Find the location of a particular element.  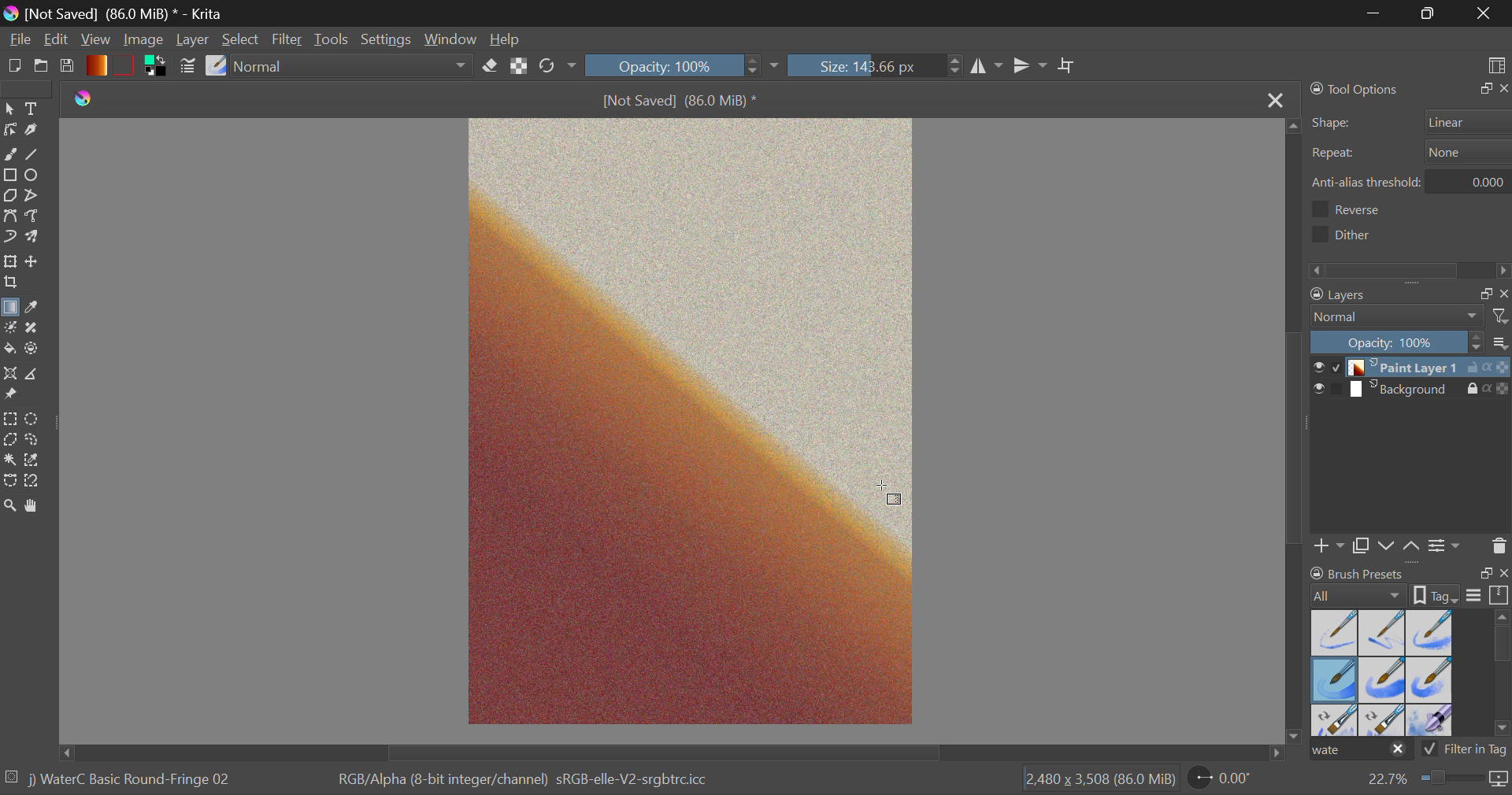

Textured Background using Noise filter is located at coordinates (691, 421).